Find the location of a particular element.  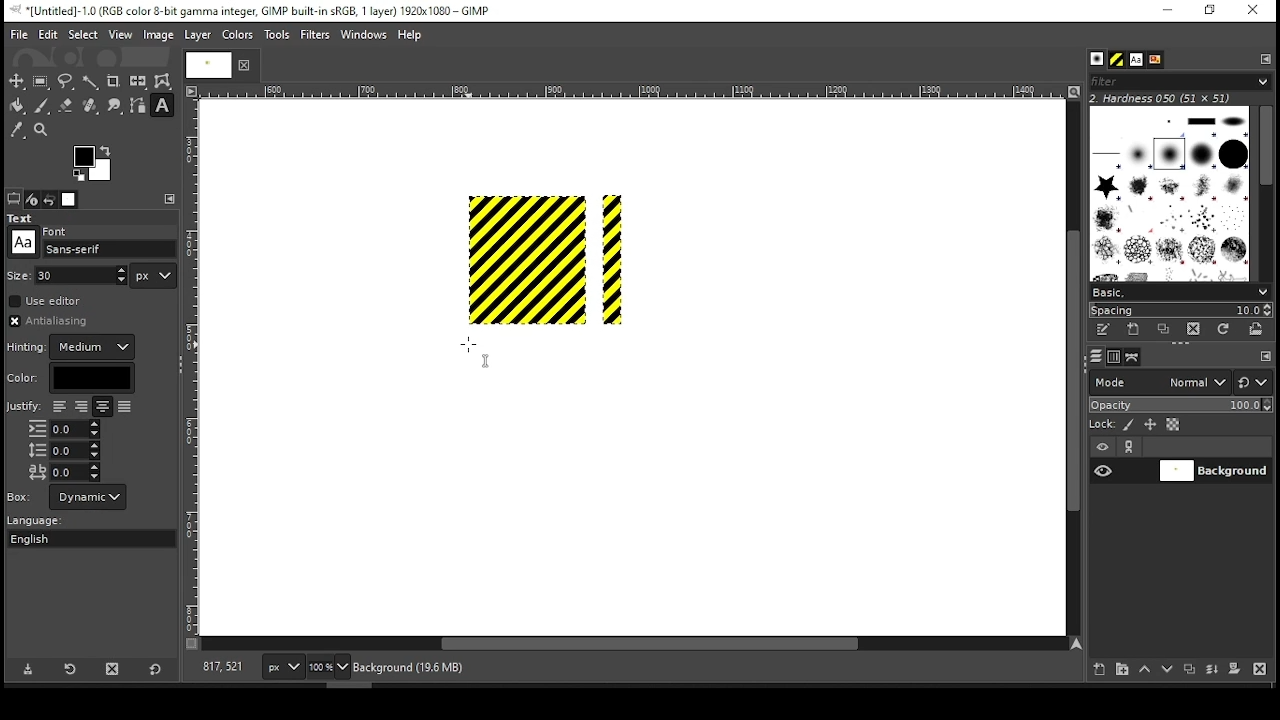

818,363 is located at coordinates (221, 667).